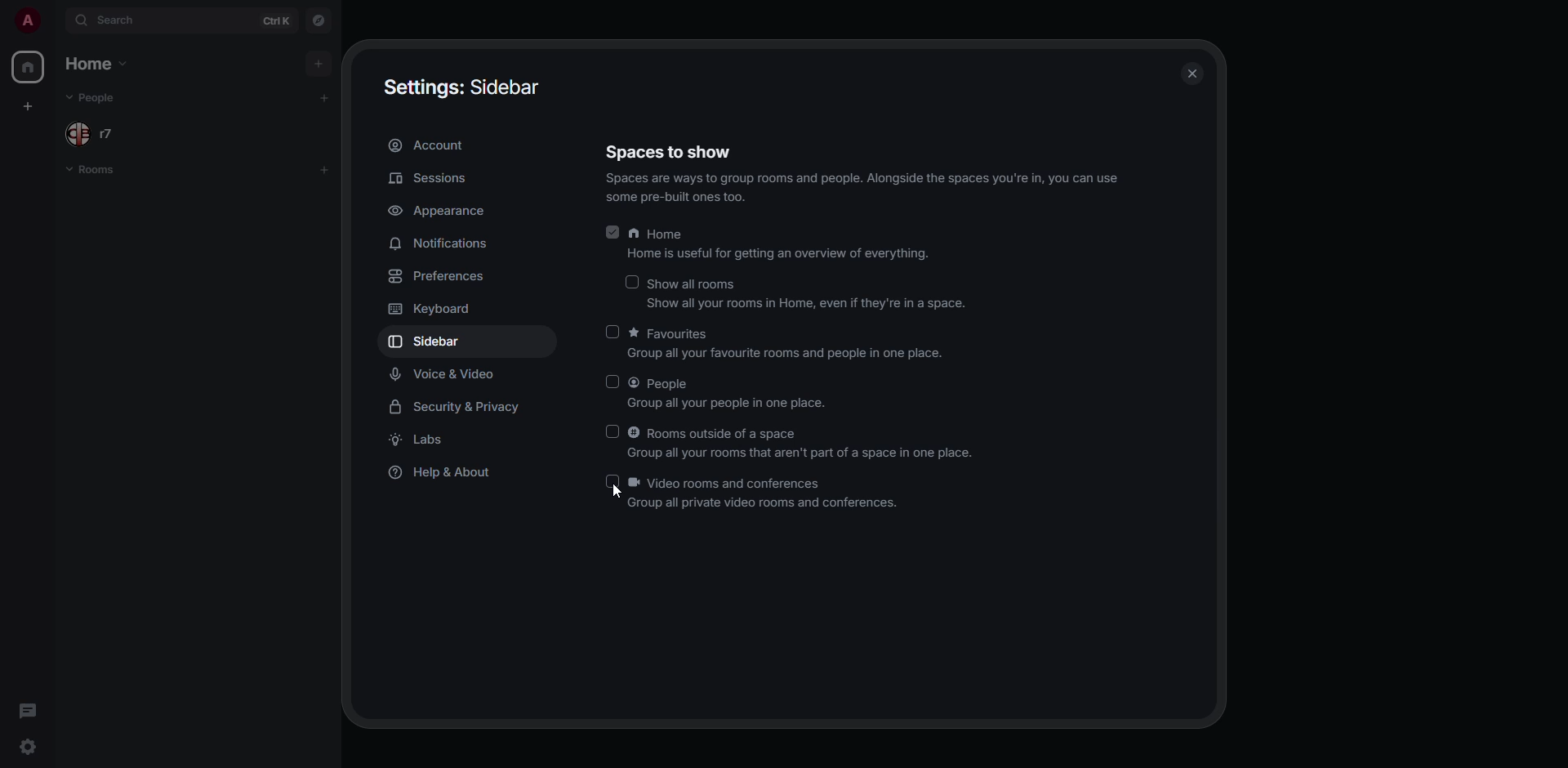 The image size is (1568, 768). What do you see at coordinates (276, 21) in the screenshot?
I see `ctrl K` at bounding box center [276, 21].